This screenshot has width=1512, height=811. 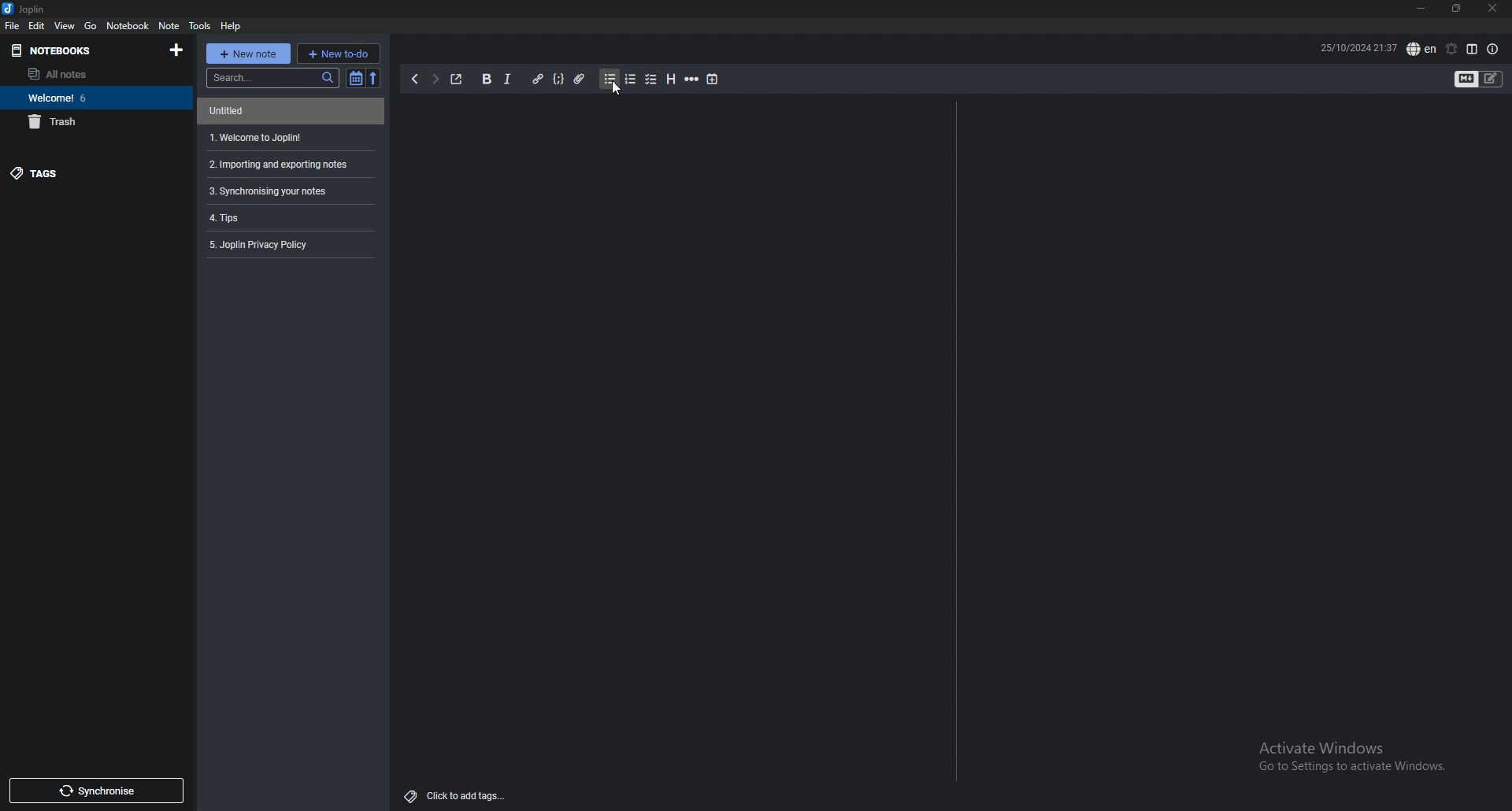 I want to click on spell check, so click(x=1419, y=49).